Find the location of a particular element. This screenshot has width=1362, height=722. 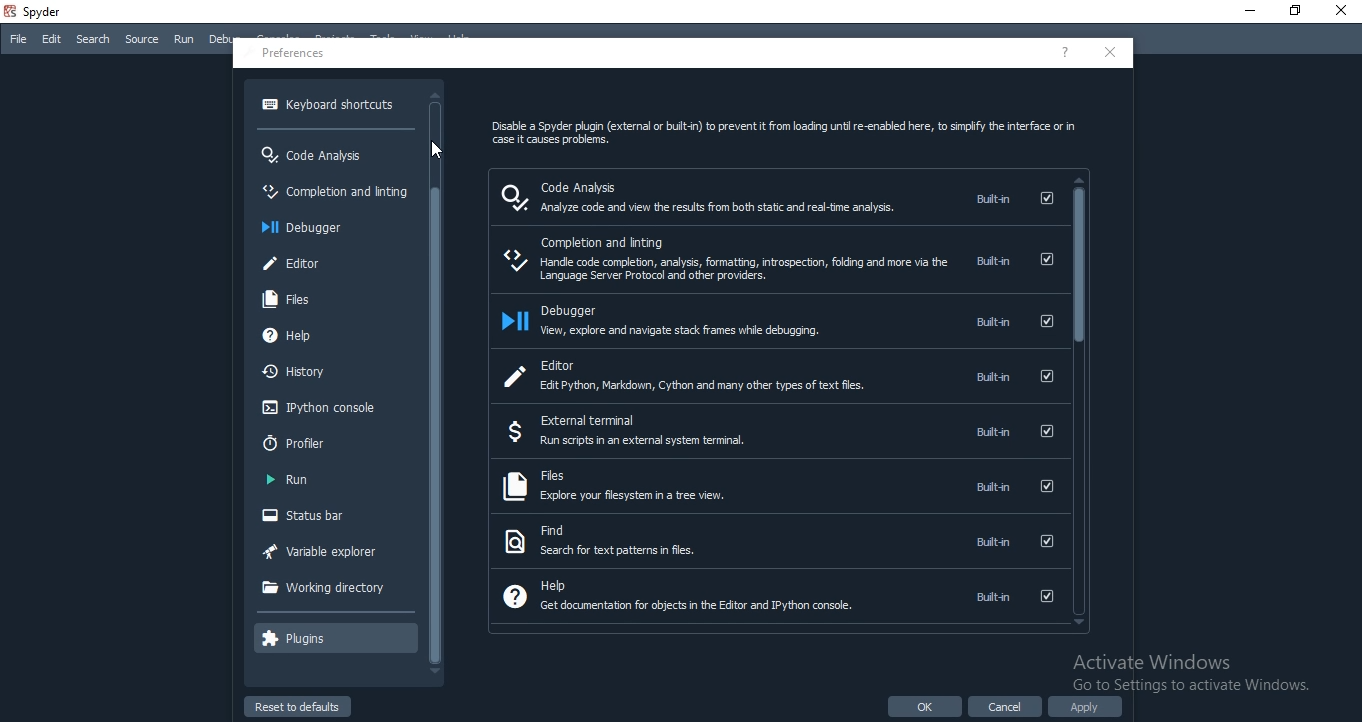

Help is located at coordinates (287, 334).